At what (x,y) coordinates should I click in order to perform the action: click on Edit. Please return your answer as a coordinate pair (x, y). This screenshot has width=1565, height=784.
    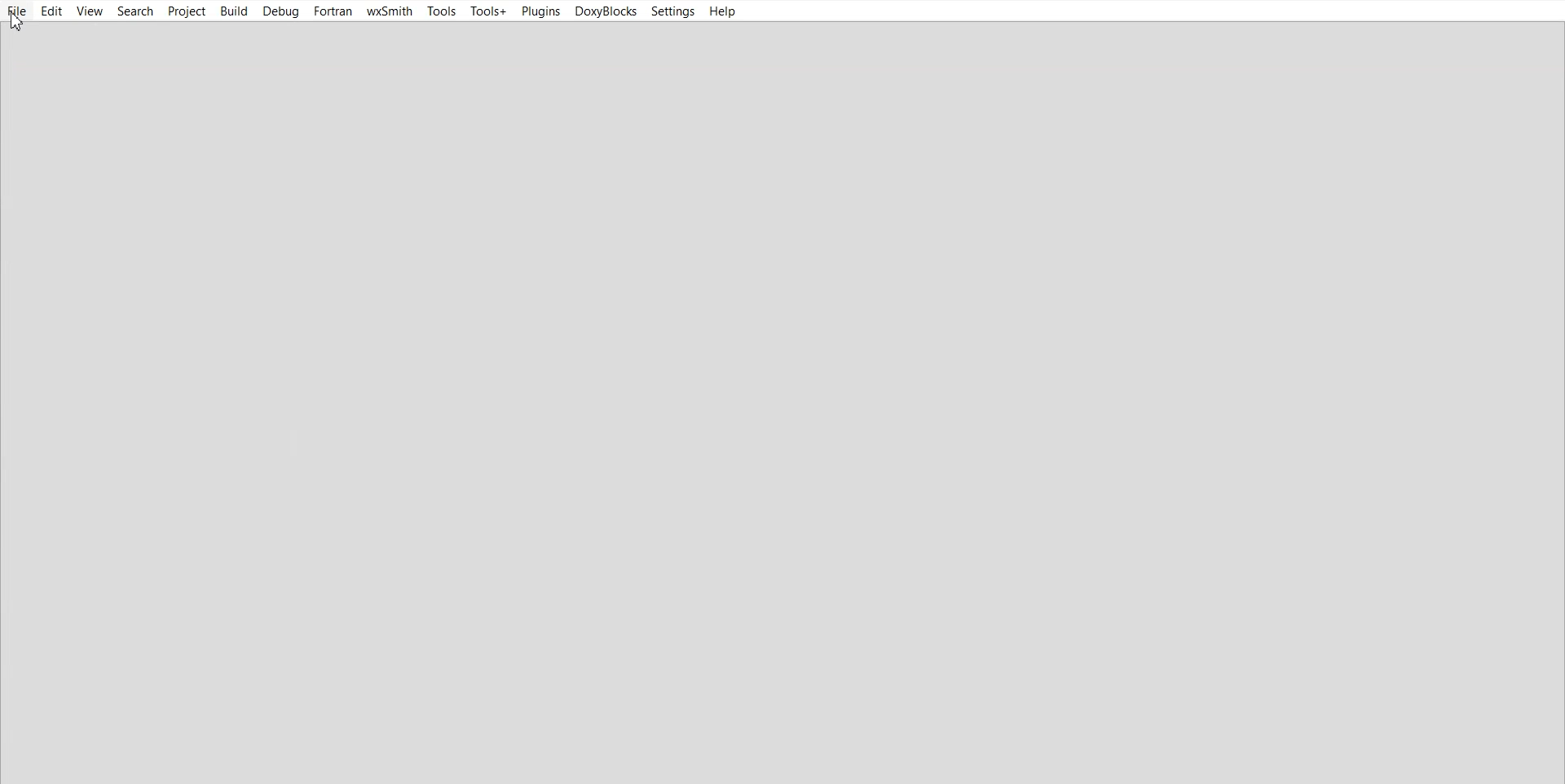
    Looking at the image, I should click on (52, 11).